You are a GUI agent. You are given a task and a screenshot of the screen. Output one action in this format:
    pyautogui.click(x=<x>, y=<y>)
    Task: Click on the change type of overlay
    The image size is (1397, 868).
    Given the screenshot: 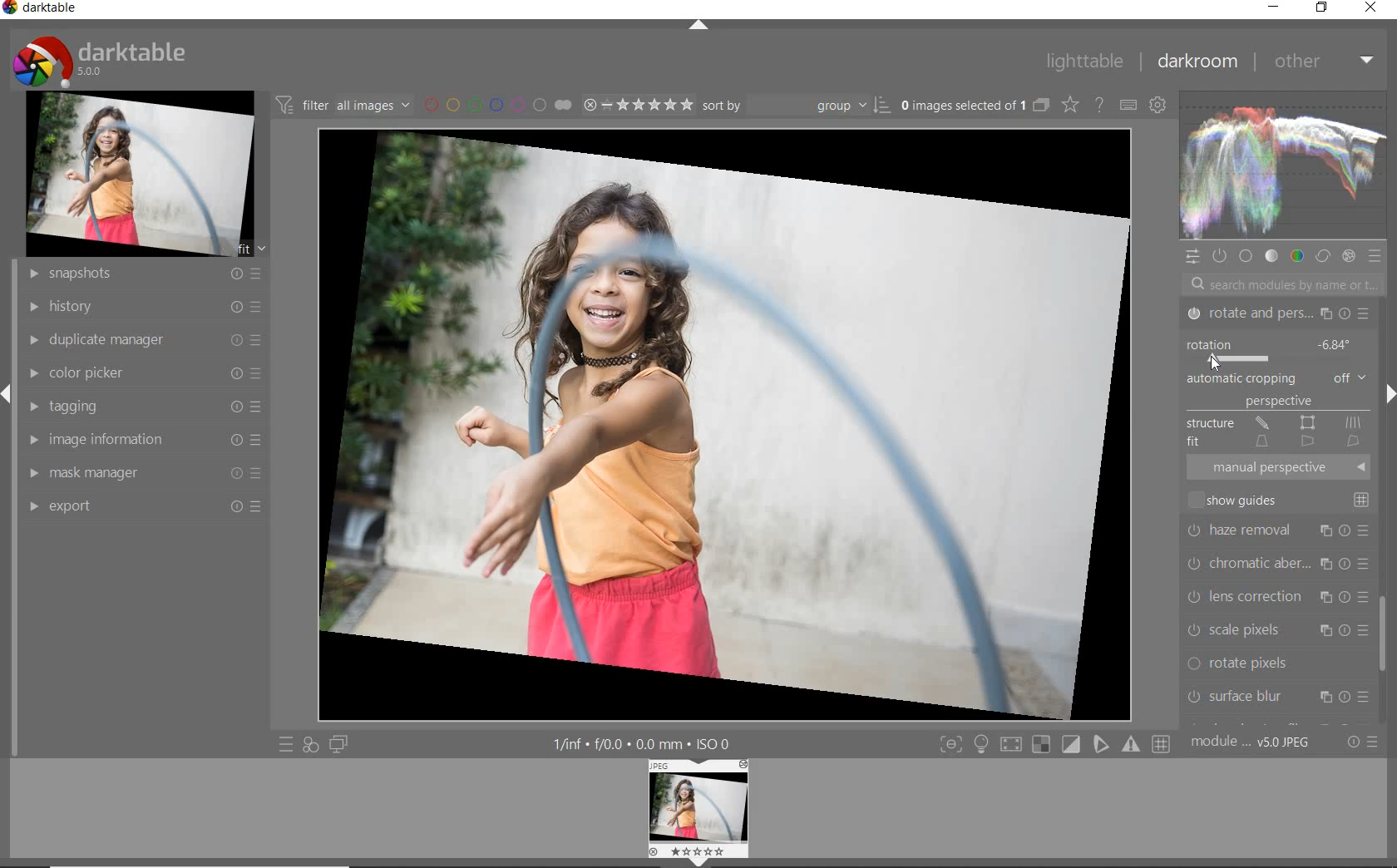 What is the action you would take?
    pyautogui.click(x=1072, y=106)
    